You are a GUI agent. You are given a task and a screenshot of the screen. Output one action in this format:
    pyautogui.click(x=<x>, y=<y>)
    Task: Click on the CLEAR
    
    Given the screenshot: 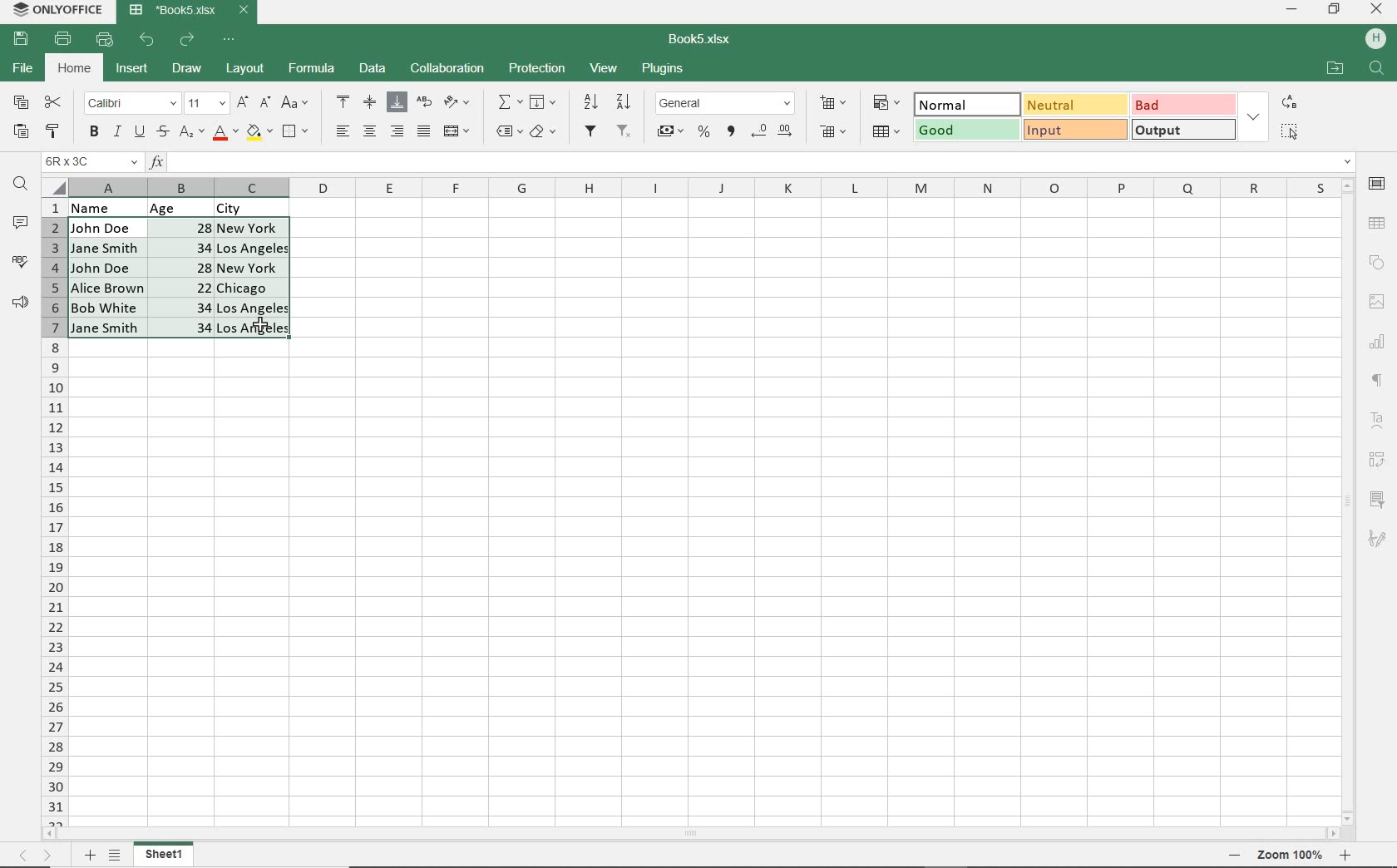 What is the action you would take?
    pyautogui.click(x=542, y=134)
    